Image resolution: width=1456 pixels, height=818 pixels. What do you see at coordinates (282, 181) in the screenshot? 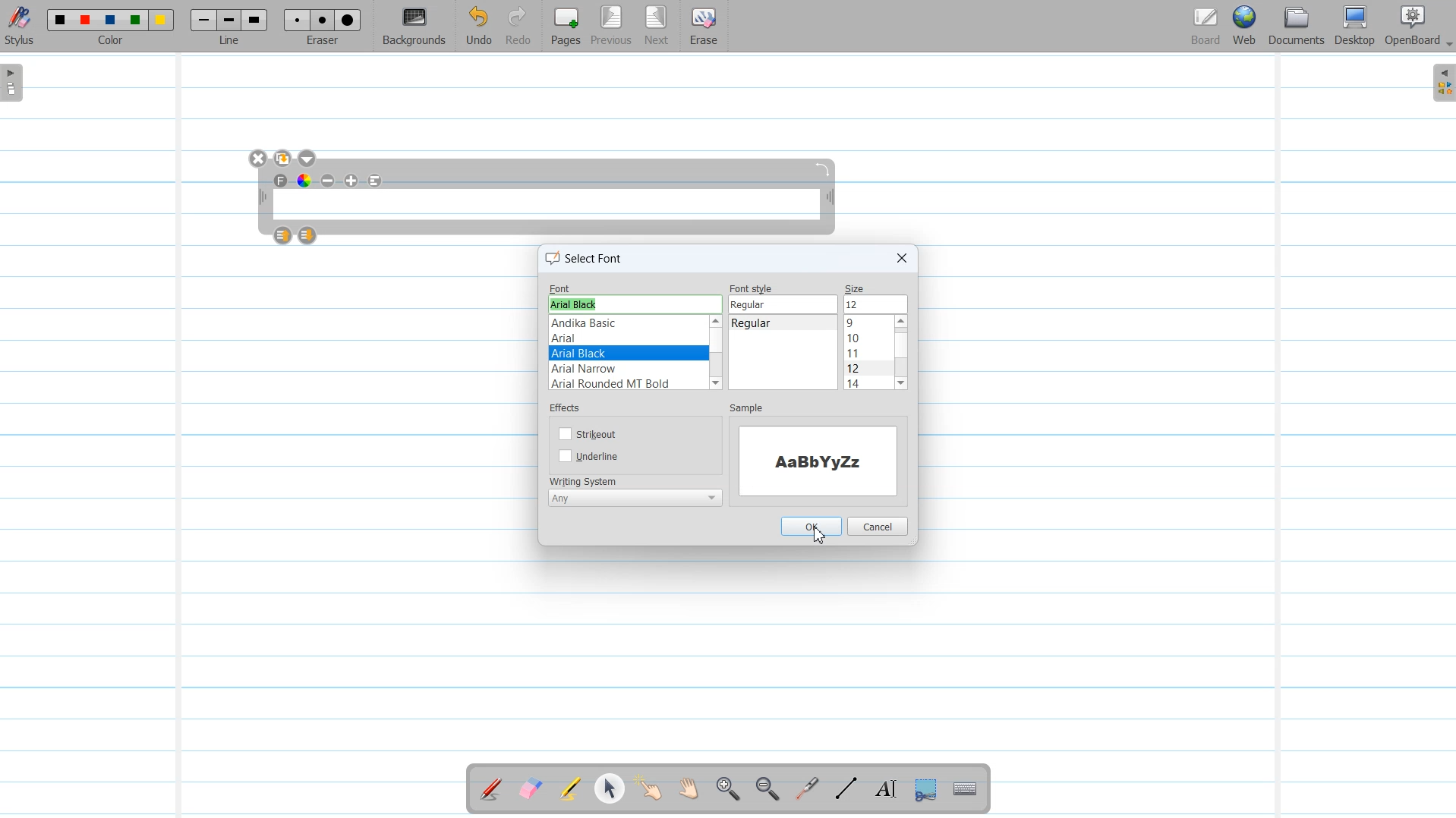
I see `Text Font ` at bounding box center [282, 181].